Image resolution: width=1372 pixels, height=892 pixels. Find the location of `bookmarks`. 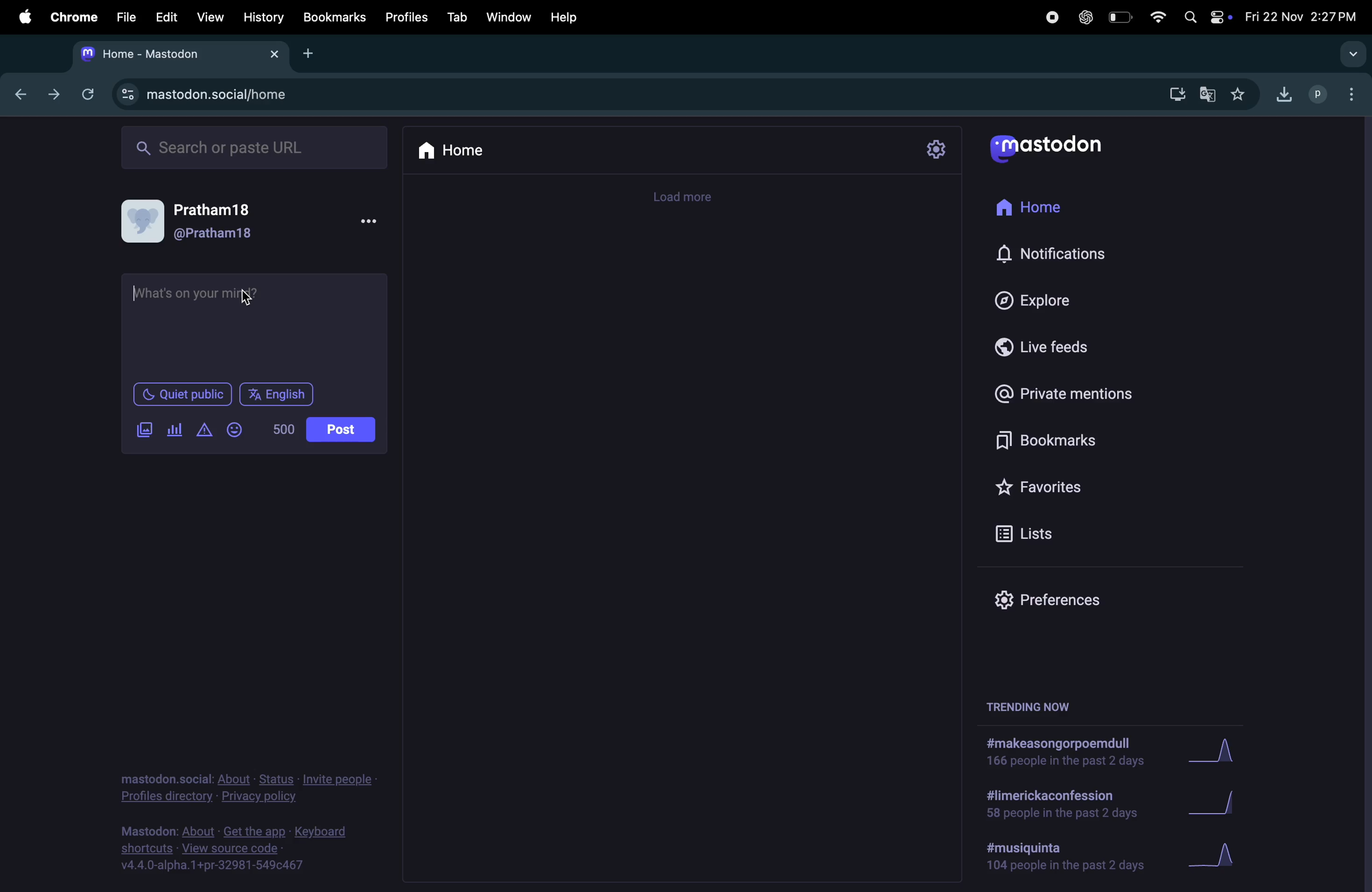

bookmarks is located at coordinates (334, 17).